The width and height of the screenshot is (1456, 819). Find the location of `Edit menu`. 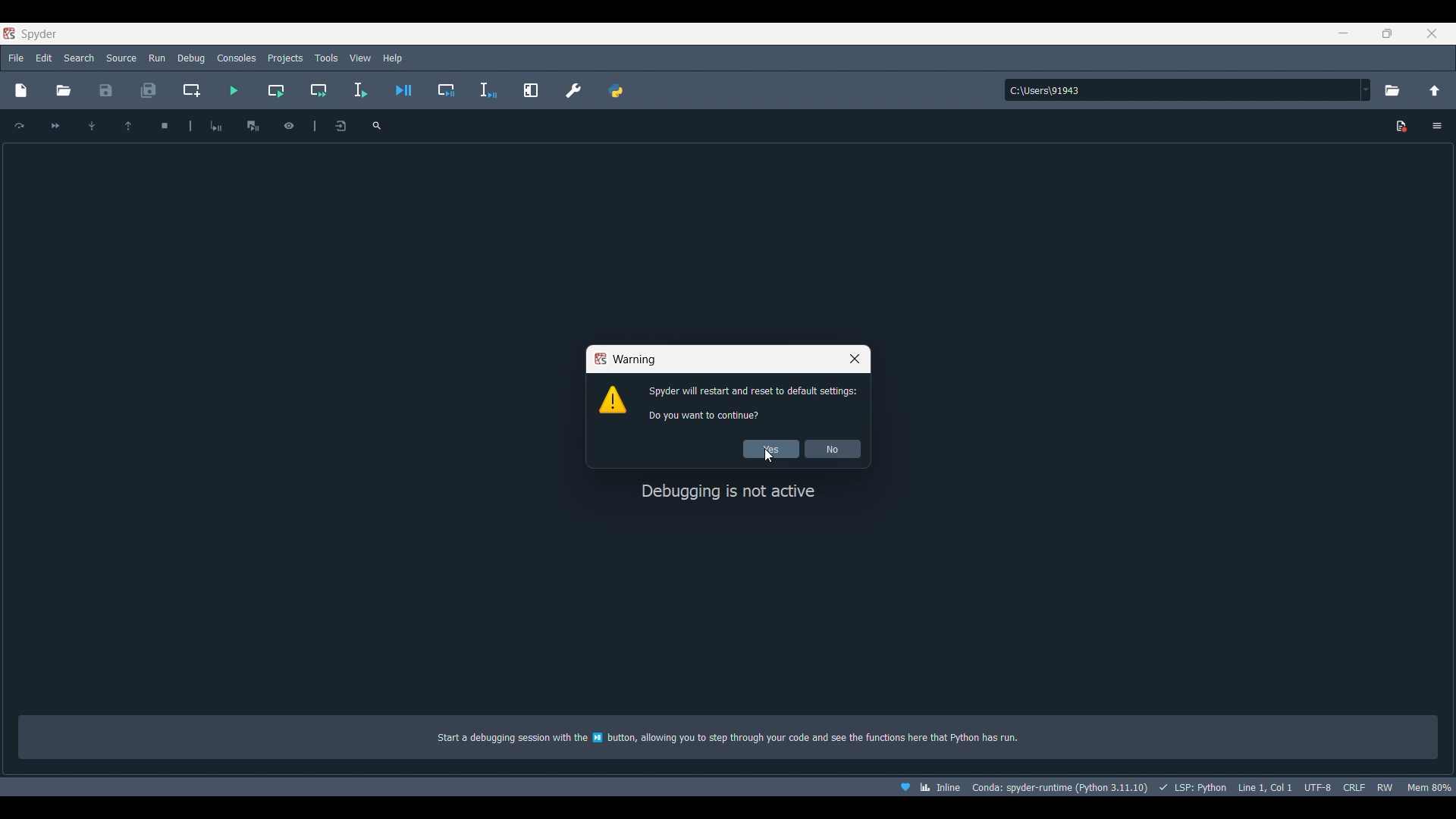

Edit menu is located at coordinates (45, 58).